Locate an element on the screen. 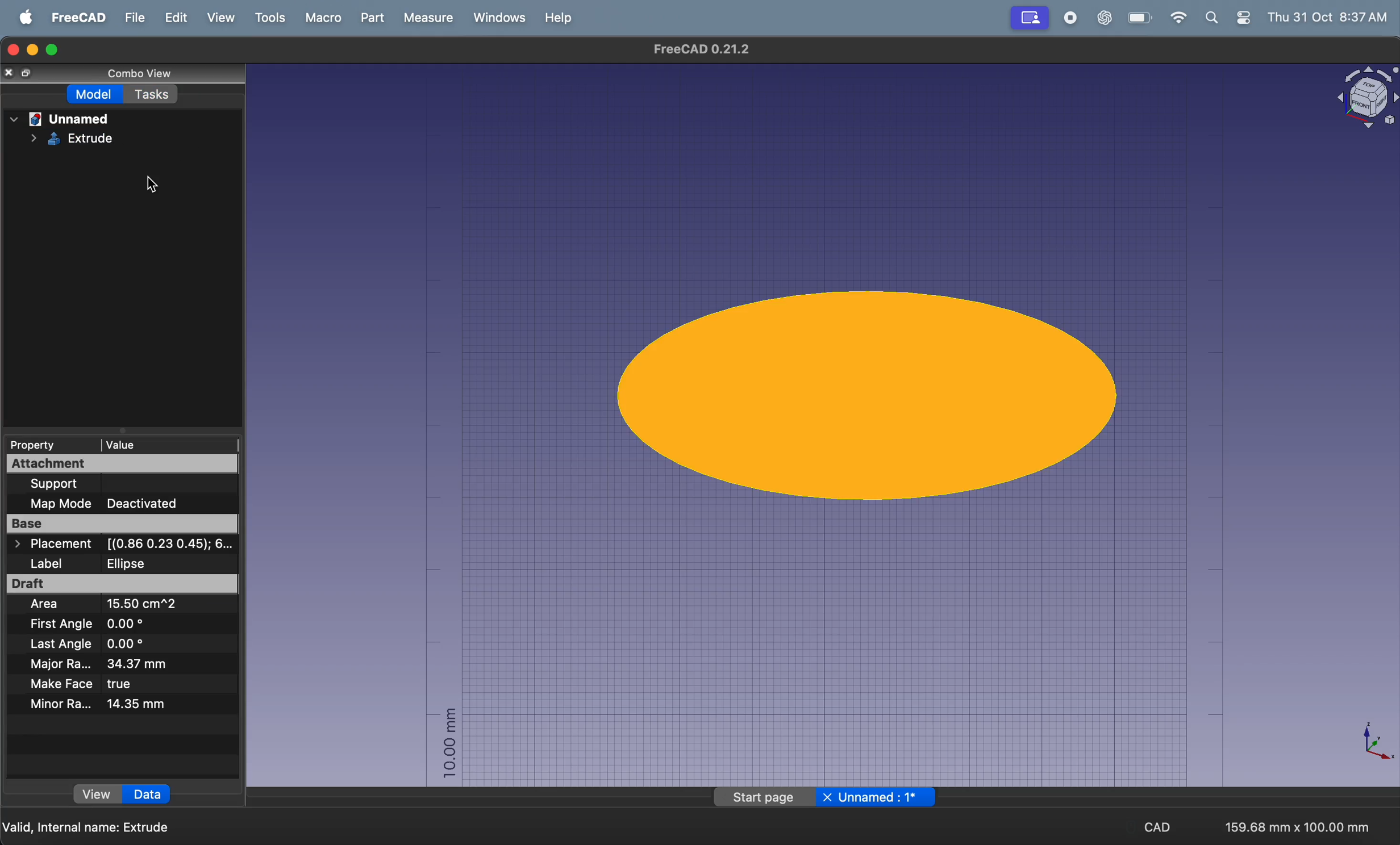 The image size is (1400, 845). windows is located at coordinates (497, 18).